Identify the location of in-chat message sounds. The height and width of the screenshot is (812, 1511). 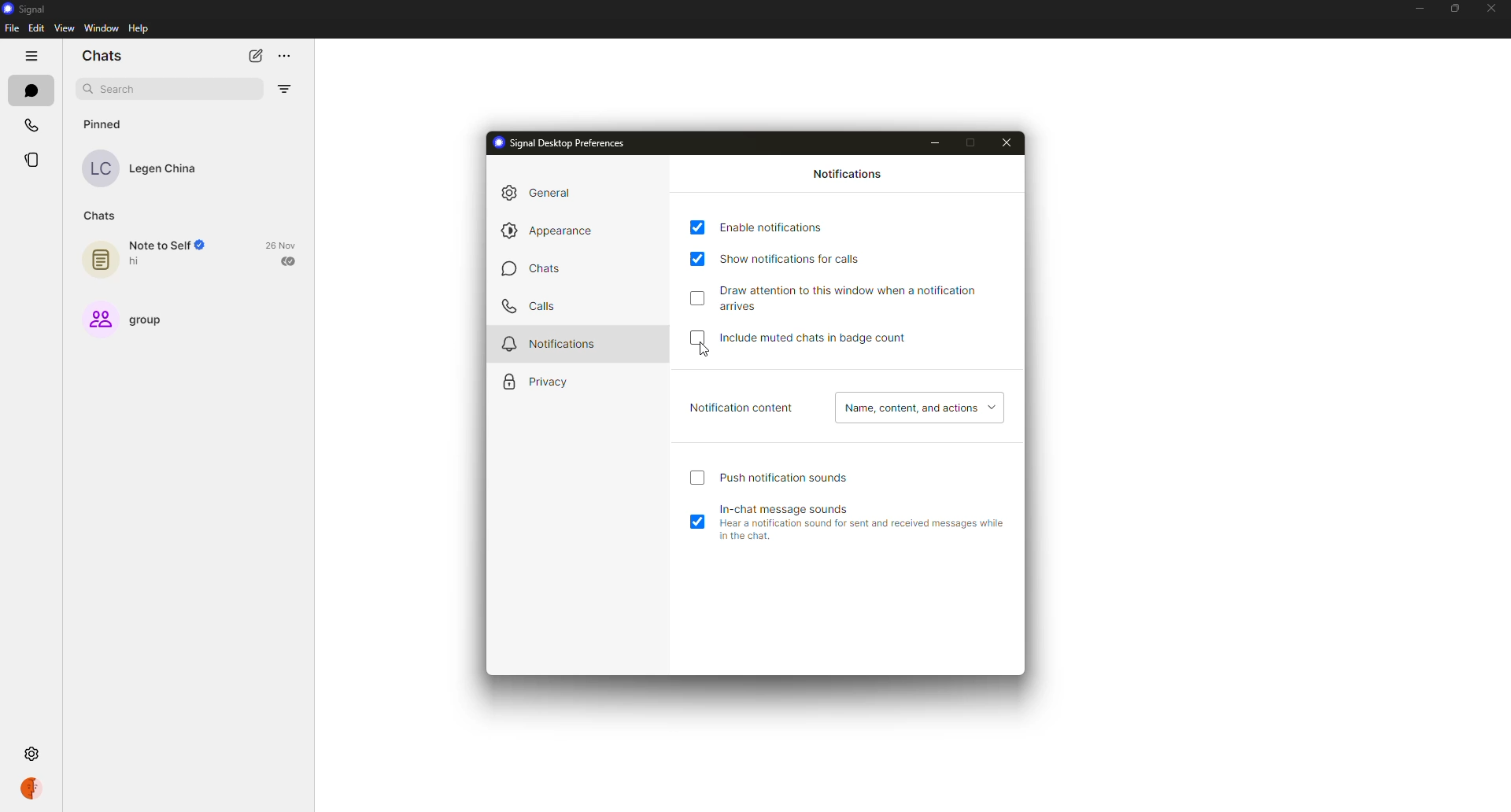
(848, 508).